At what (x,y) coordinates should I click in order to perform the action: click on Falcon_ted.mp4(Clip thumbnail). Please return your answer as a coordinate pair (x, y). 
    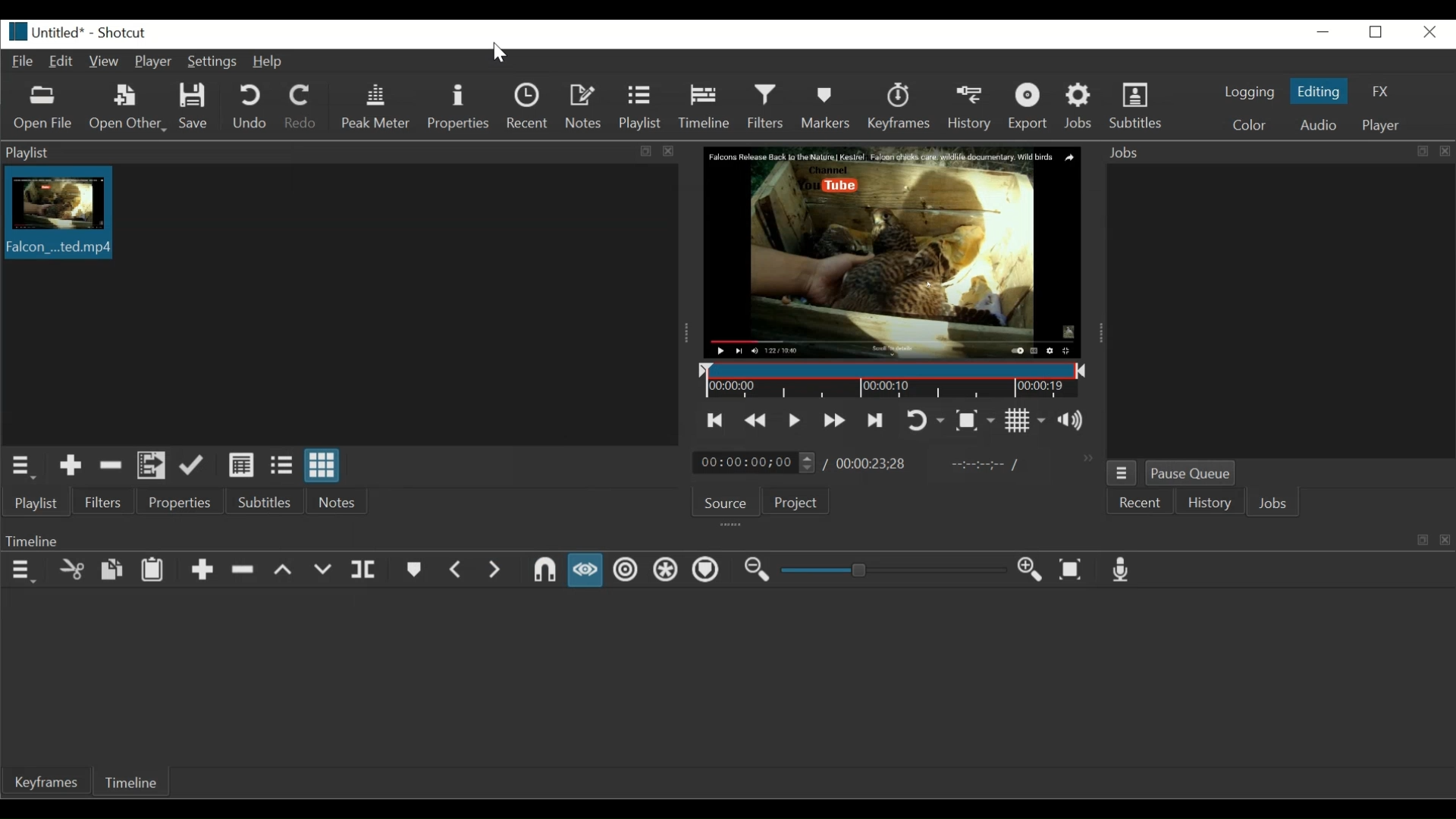
    Looking at the image, I should click on (55, 212).